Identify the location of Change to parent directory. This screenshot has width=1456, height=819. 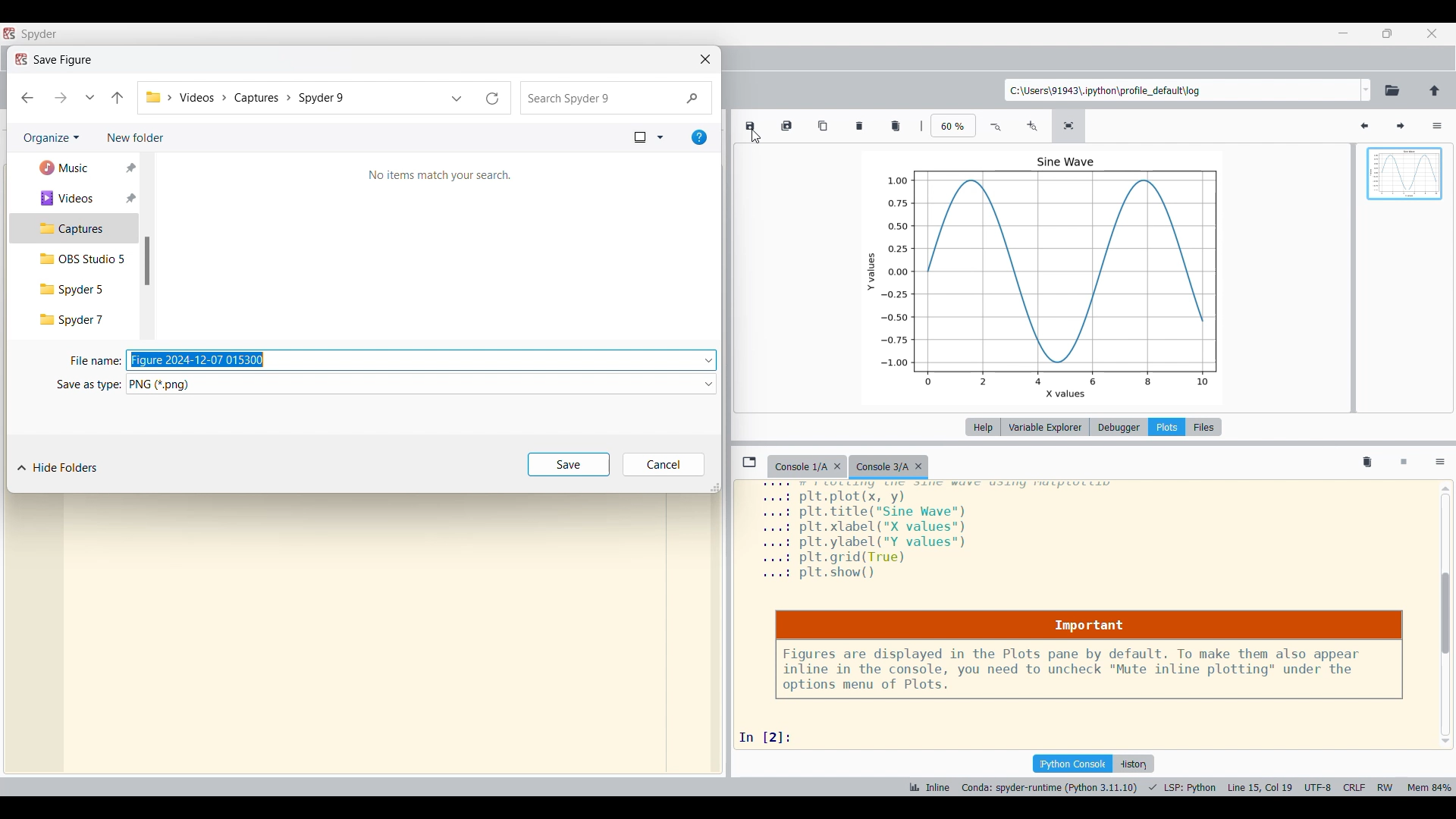
(1435, 90).